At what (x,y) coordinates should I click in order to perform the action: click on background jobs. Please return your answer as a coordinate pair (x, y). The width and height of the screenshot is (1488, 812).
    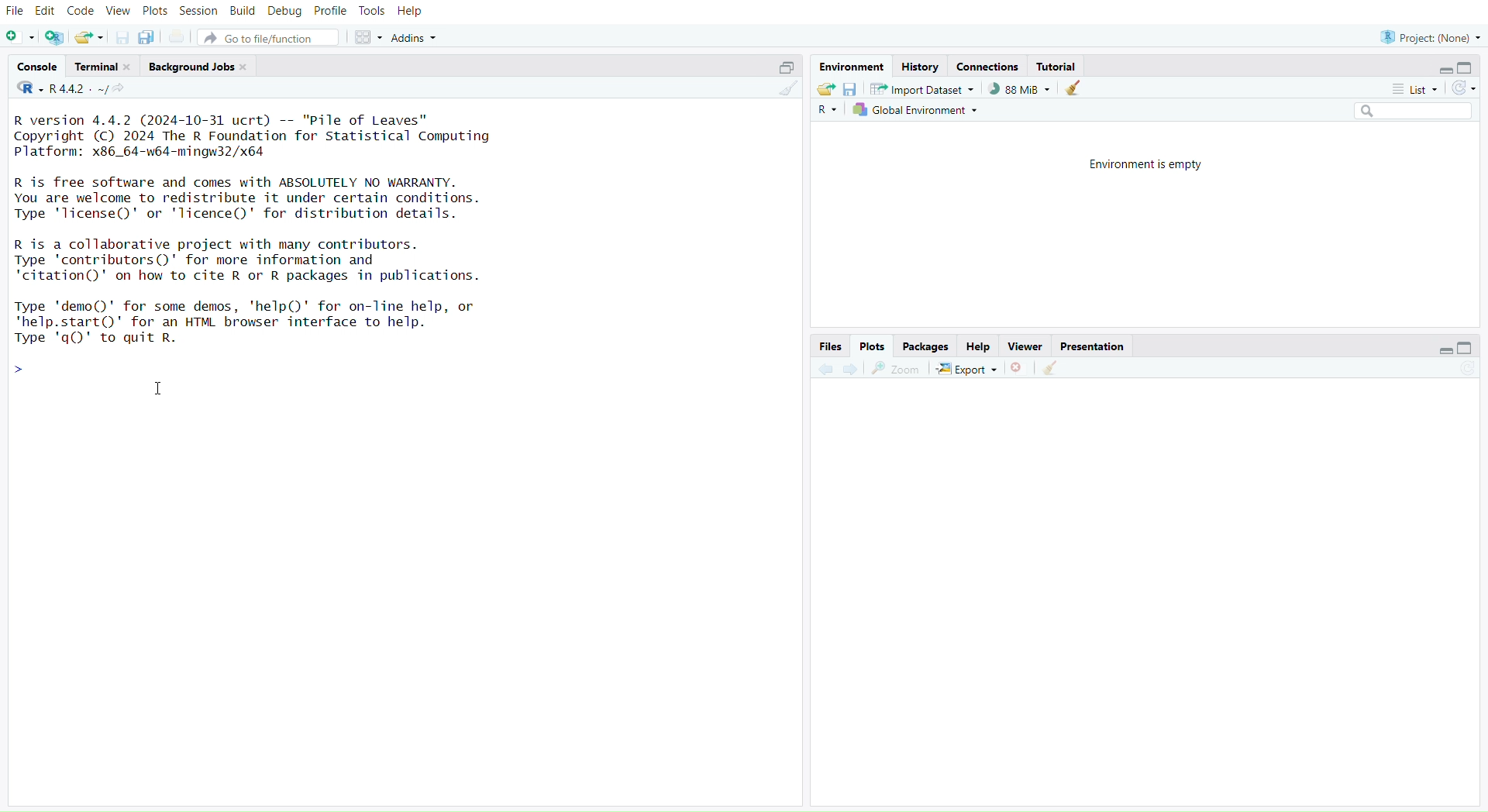
    Looking at the image, I should click on (199, 68).